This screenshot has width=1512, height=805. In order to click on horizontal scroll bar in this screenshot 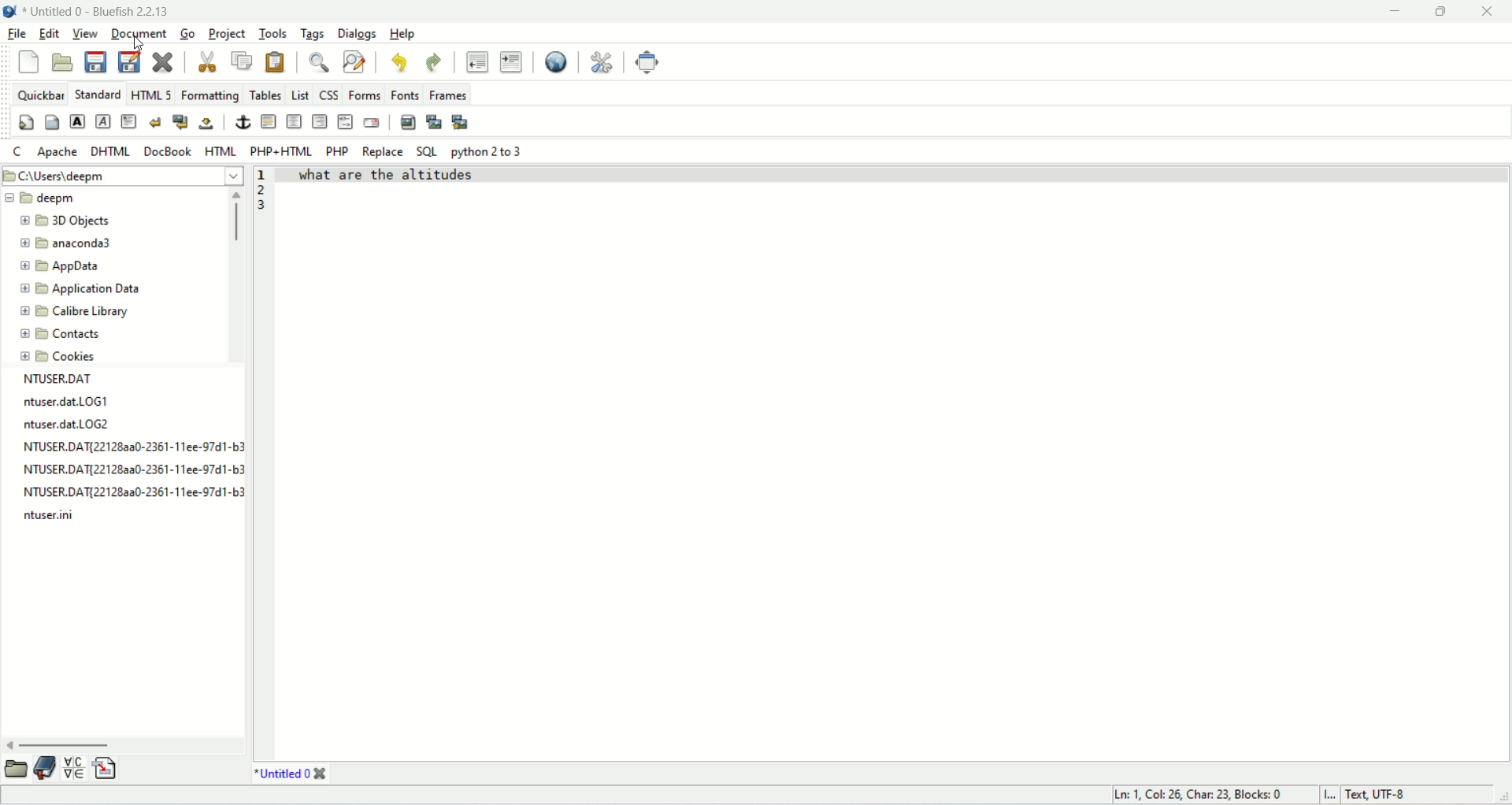, I will do `click(125, 744)`.